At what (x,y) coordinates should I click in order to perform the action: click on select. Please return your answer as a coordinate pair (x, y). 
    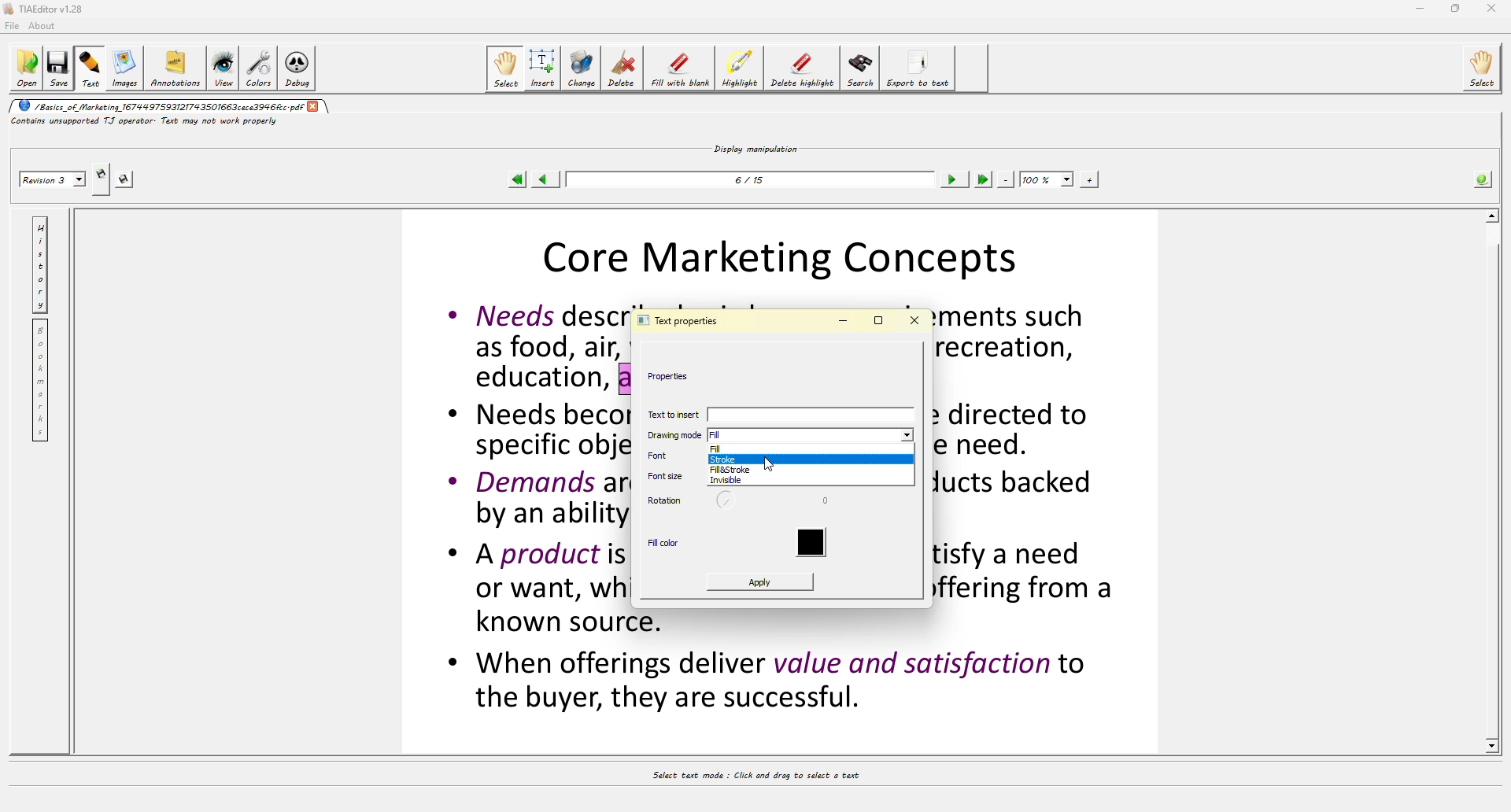
    Looking at the image, I should click on (1486, 66).